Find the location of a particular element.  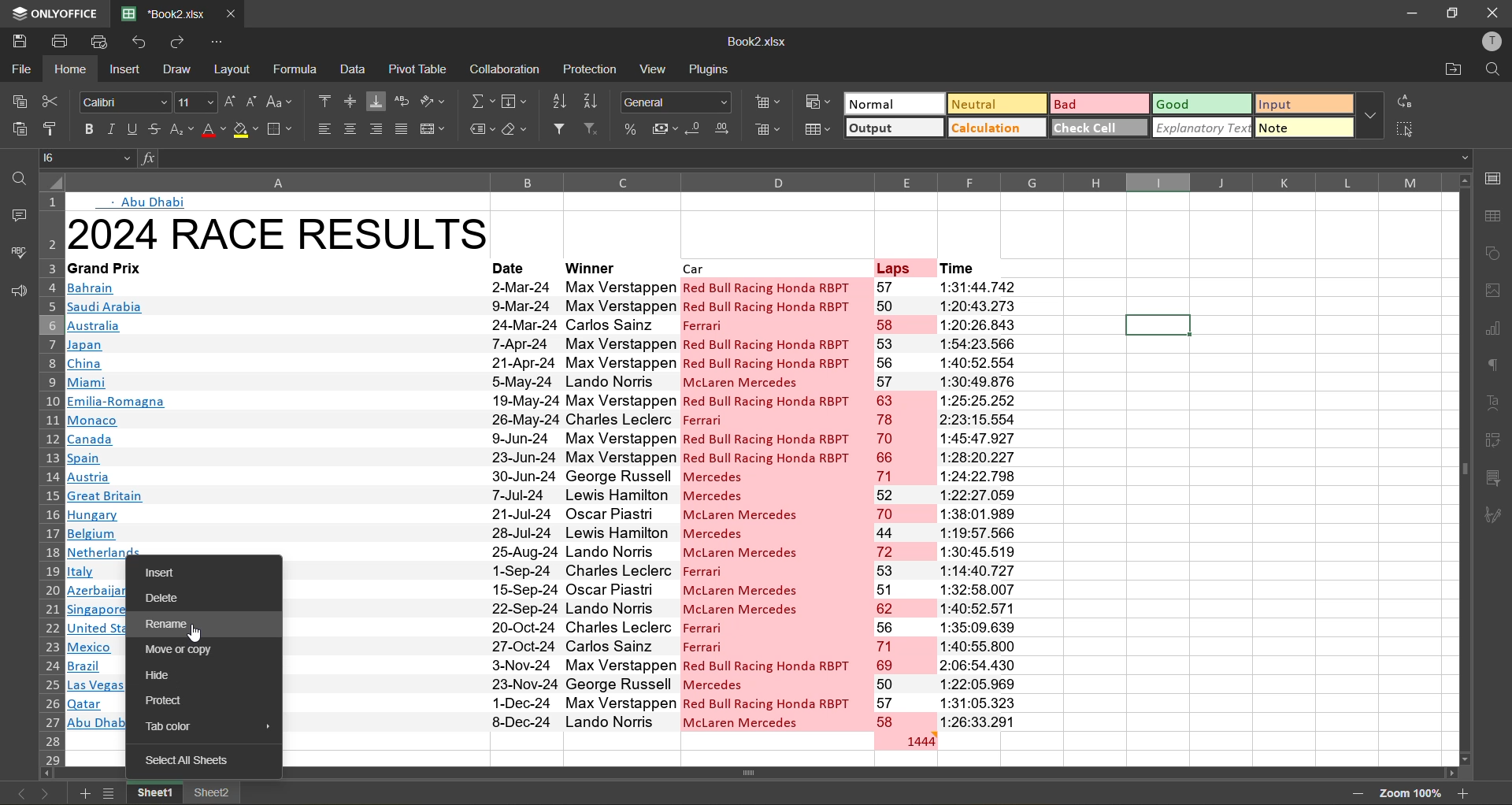

rename is located at coordinates (173, 624).